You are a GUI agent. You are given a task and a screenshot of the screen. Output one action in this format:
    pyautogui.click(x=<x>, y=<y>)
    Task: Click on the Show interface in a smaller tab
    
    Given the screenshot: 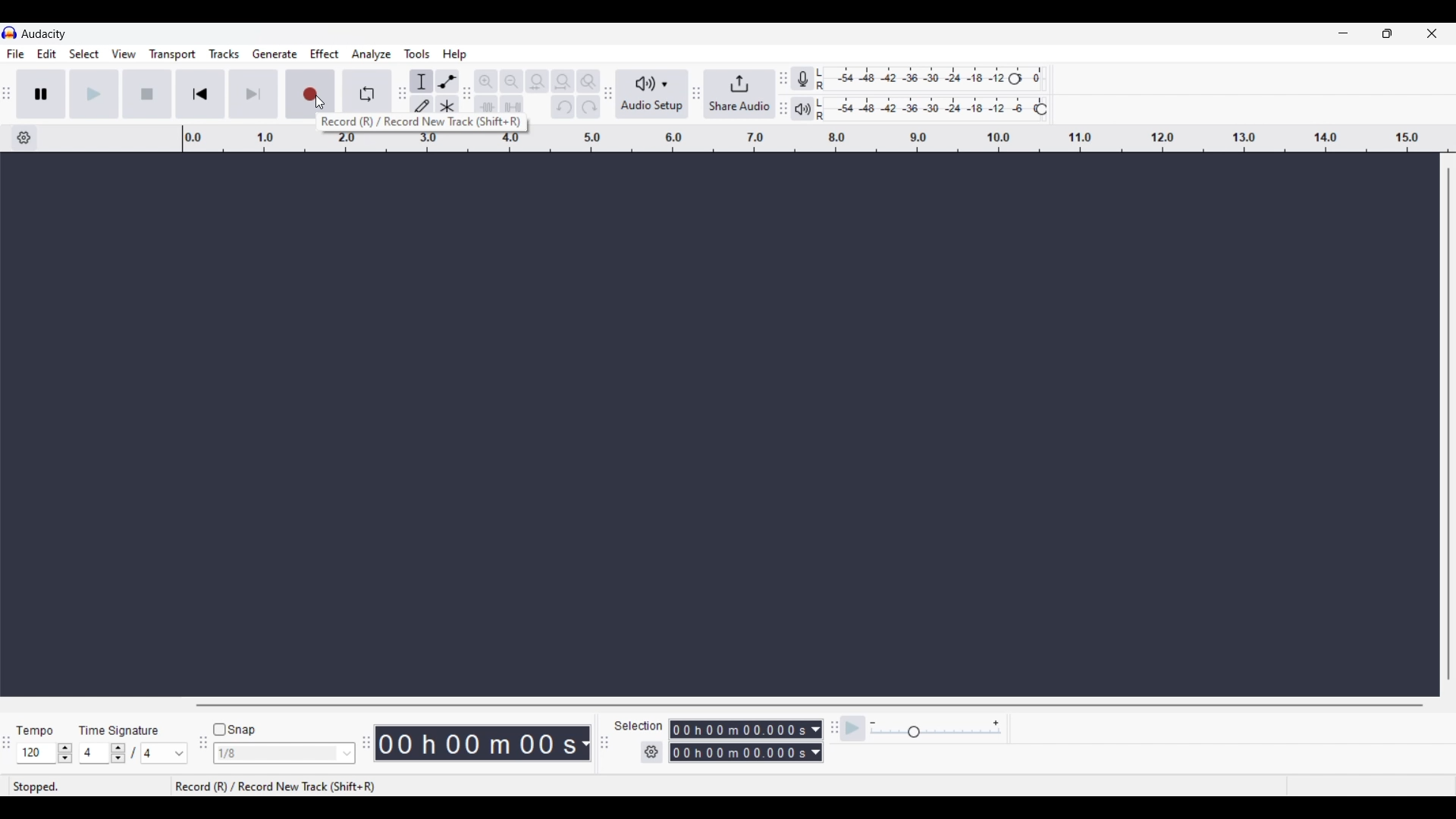 What is the action you would take?
    pyautogui.click(x=1388, y=33)
    